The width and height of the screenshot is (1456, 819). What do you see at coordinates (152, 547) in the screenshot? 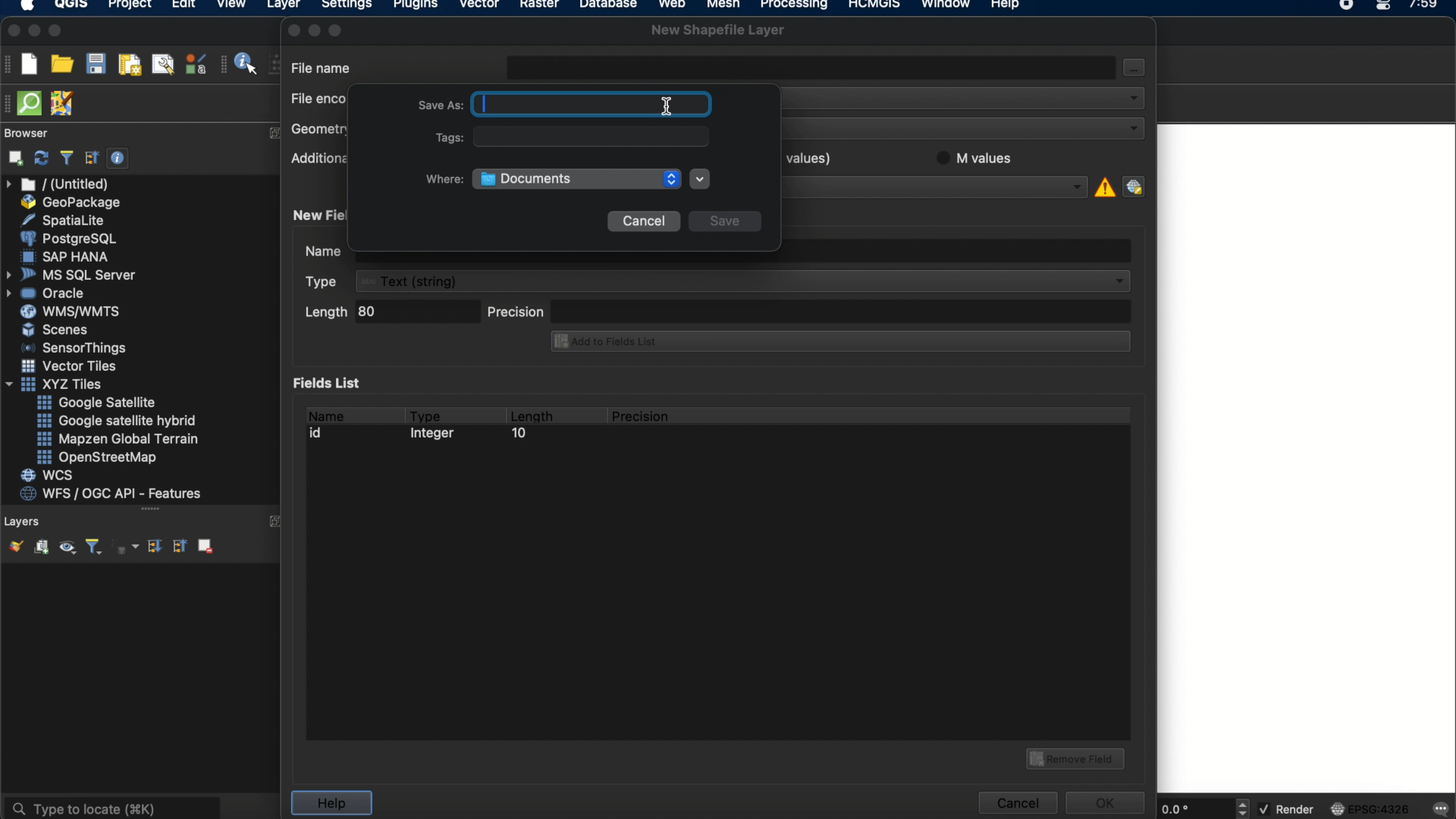
I see `expand all` at bounding box center [152, 547].